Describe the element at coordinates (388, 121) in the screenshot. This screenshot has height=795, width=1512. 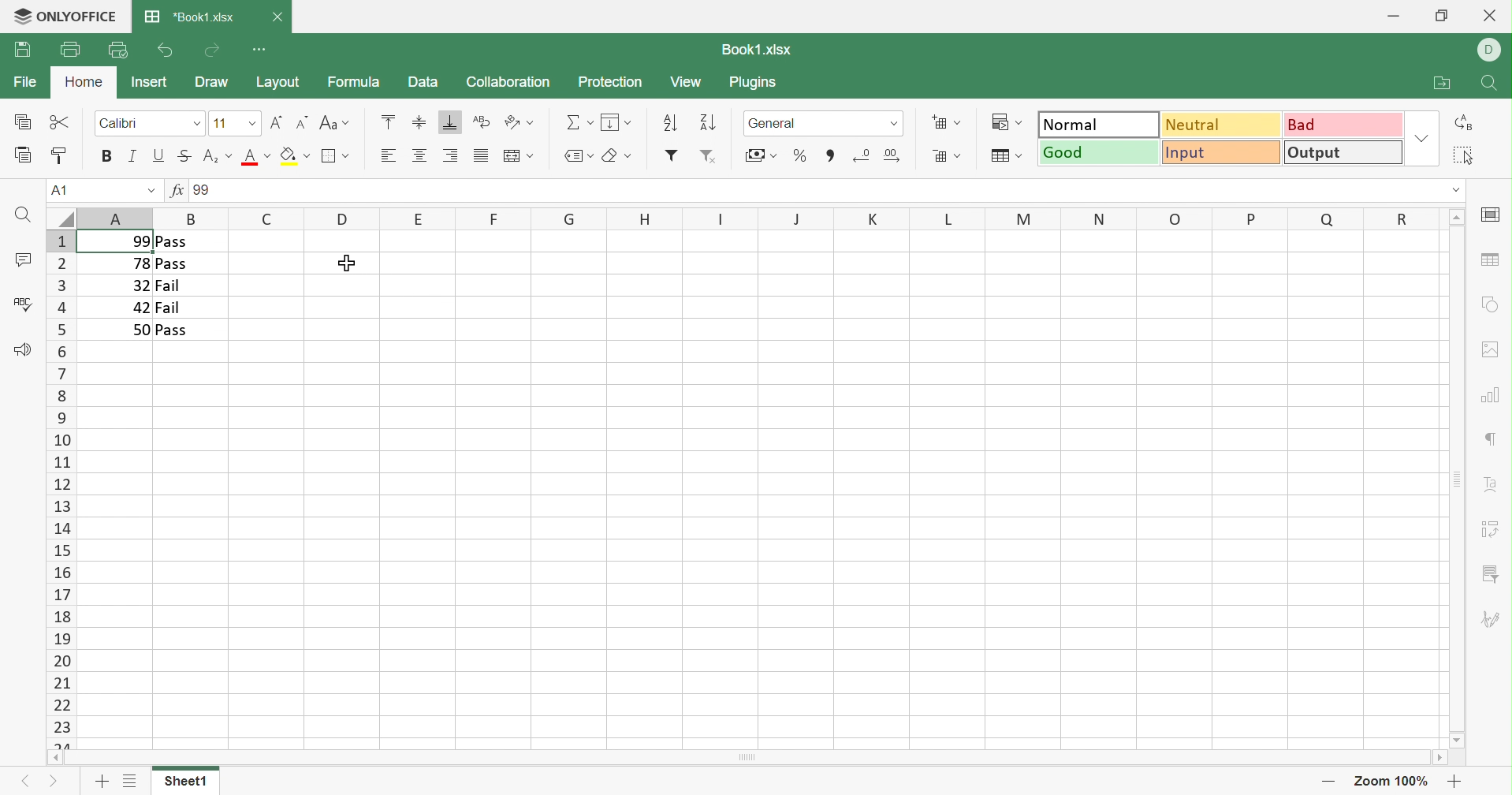
I see `Align top` at that location.